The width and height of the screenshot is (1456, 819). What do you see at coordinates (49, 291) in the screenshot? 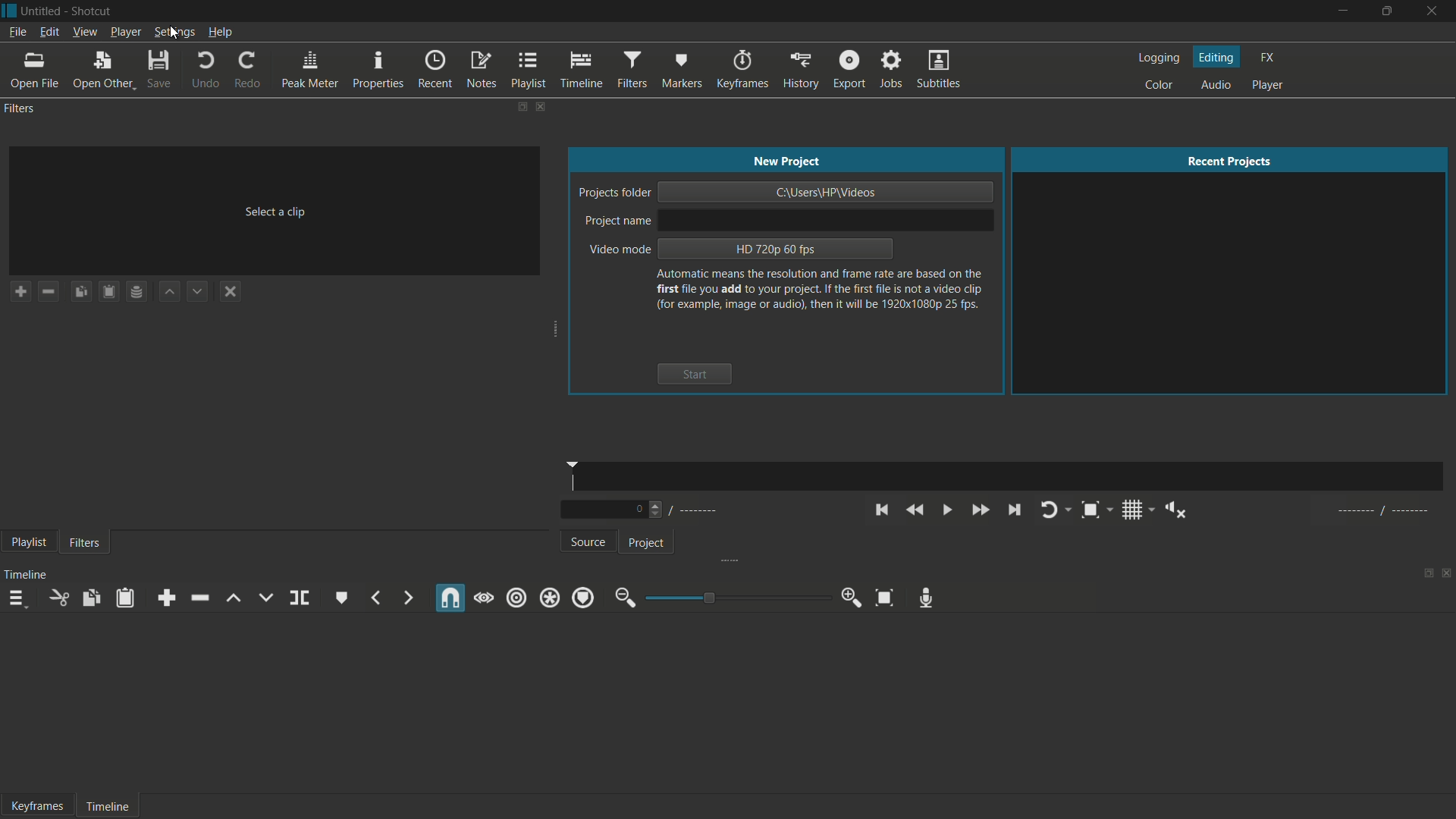
I see `remove a filter` at bounding box center [49, 291].